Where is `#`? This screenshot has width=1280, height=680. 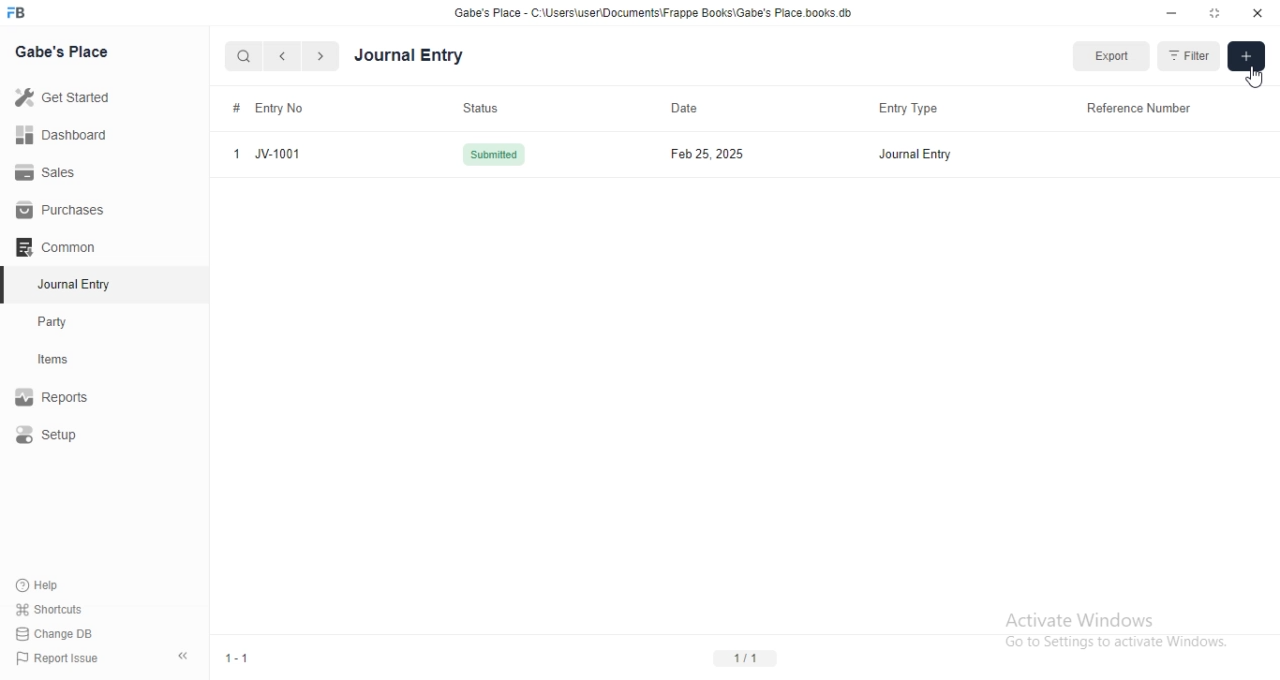 # is located at coordinates (235, 108).